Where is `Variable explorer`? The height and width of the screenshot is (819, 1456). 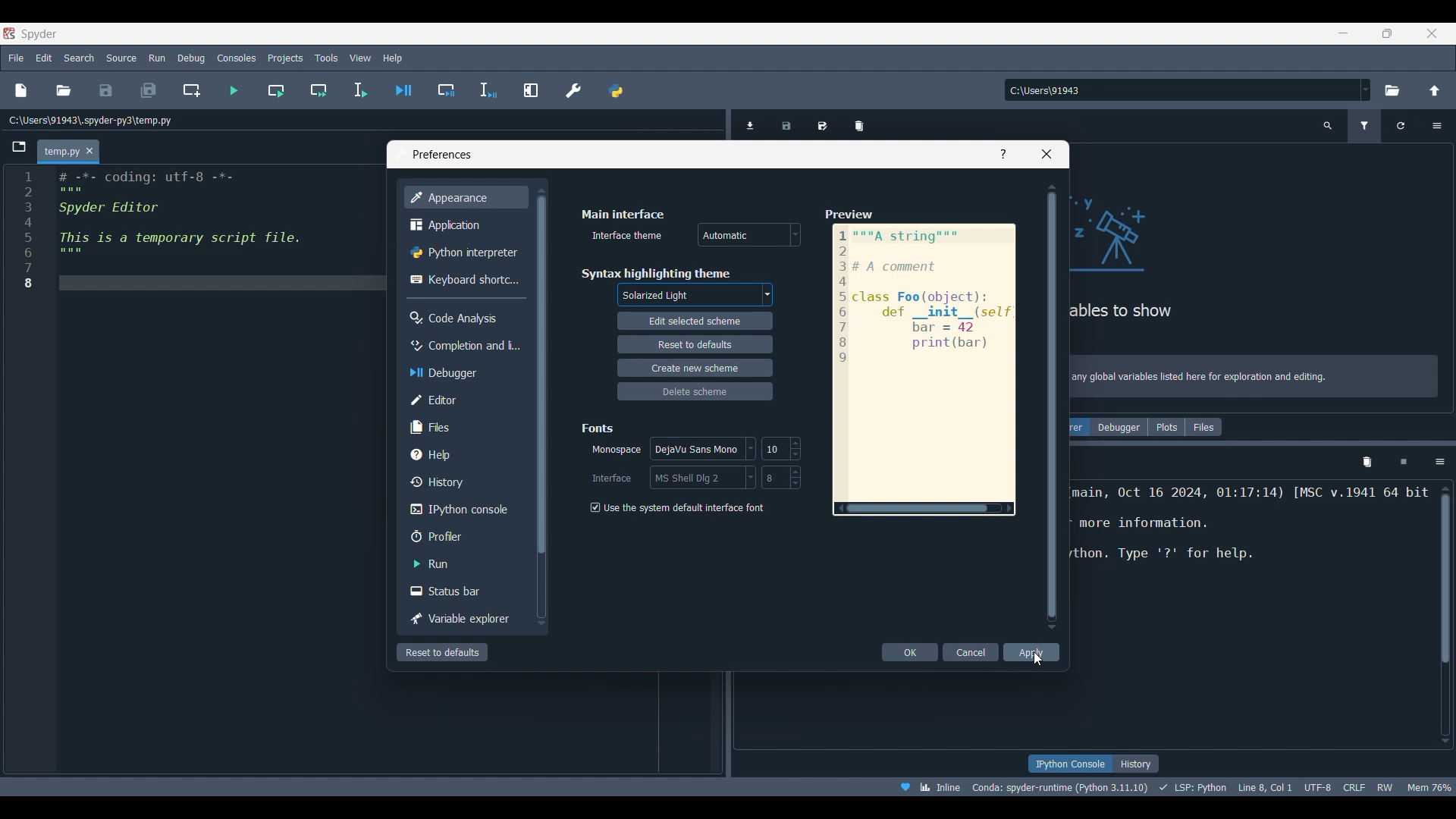
Variable explorer is located at coordinates (464, 619).